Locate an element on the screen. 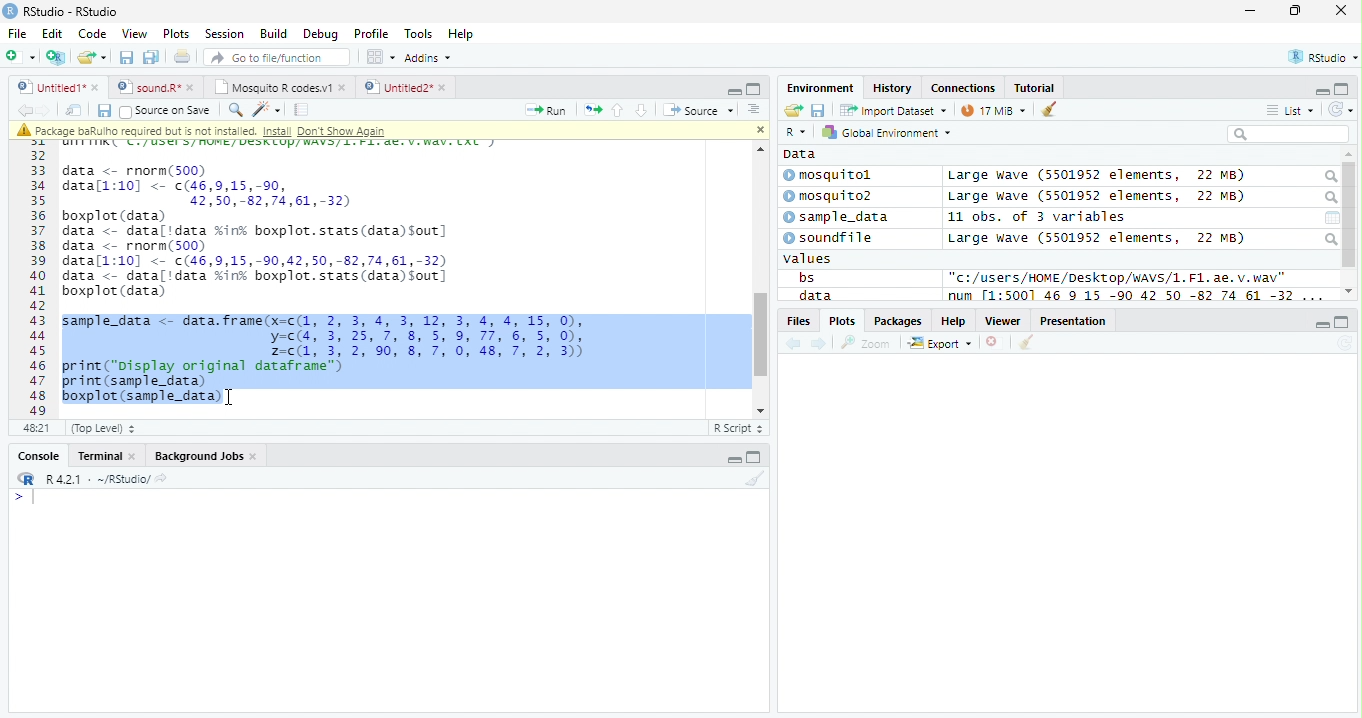  Source is located at coordinates (700, 109).